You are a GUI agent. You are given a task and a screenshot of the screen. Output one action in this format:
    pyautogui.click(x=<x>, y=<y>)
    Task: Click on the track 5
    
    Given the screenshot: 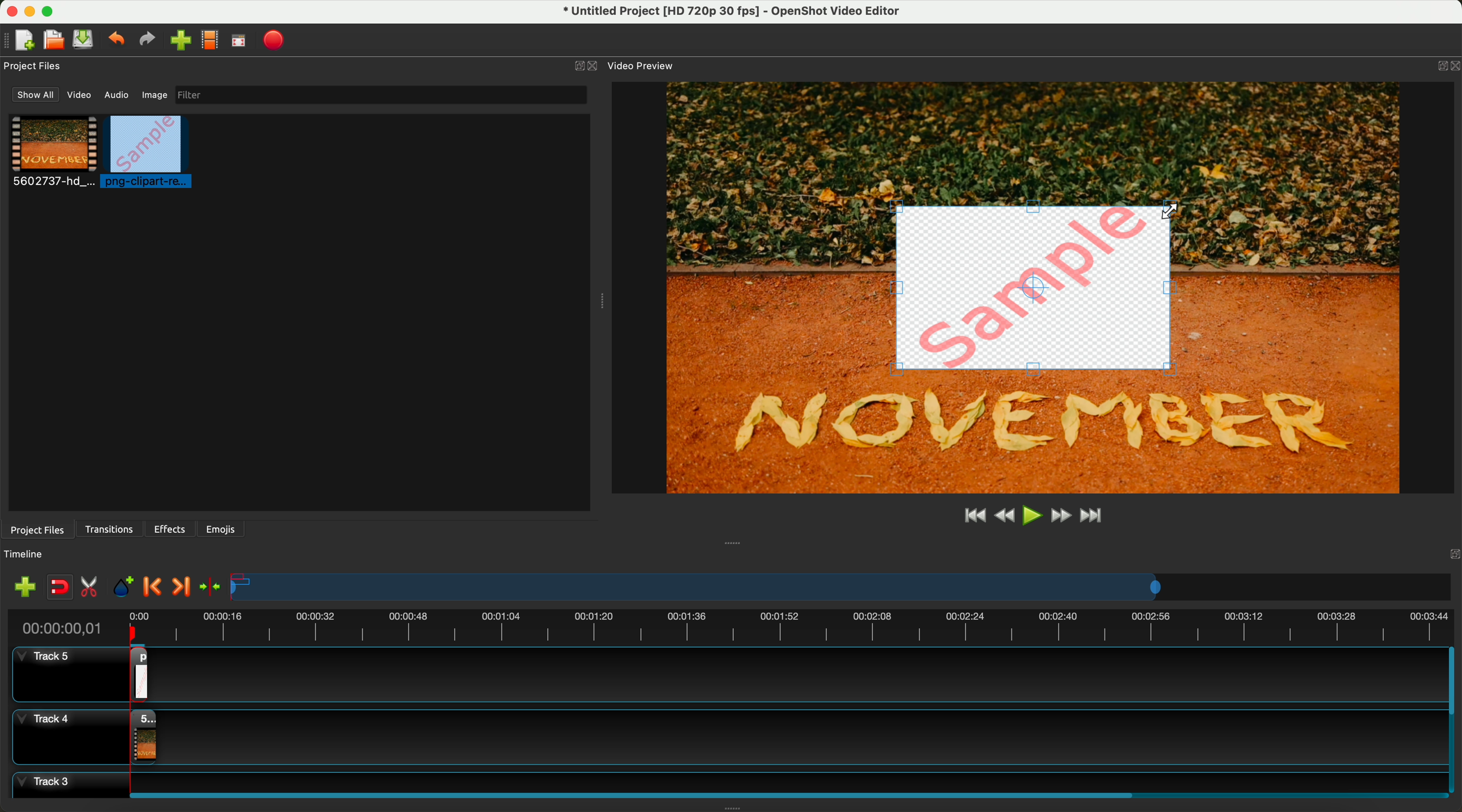 What is the action you would take?
    pyautogui.click(x=60, y=675)
    